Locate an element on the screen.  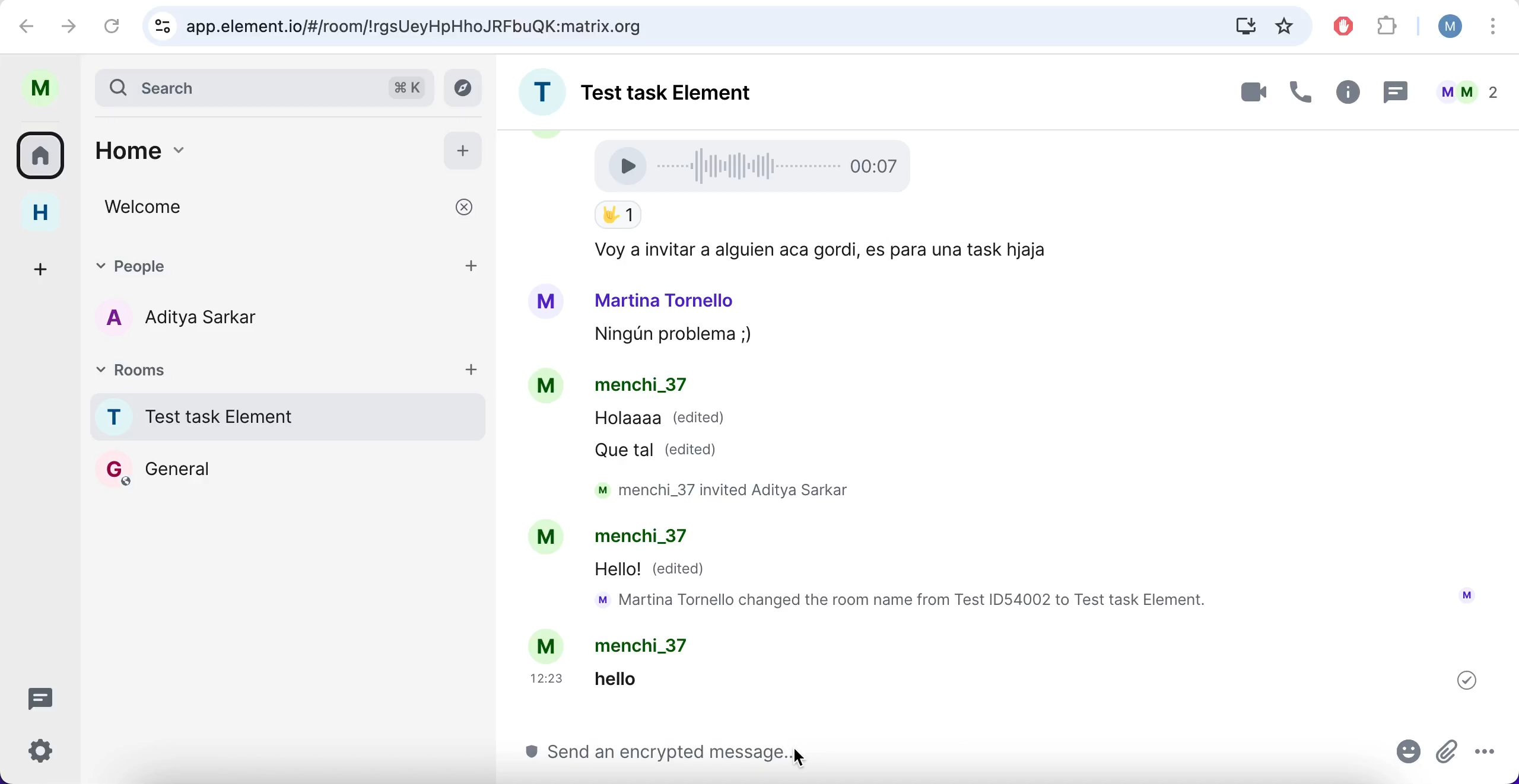
Voy a invitar a alguien aca gordi, es para una task hjaja is located at coordinates (816, 251).